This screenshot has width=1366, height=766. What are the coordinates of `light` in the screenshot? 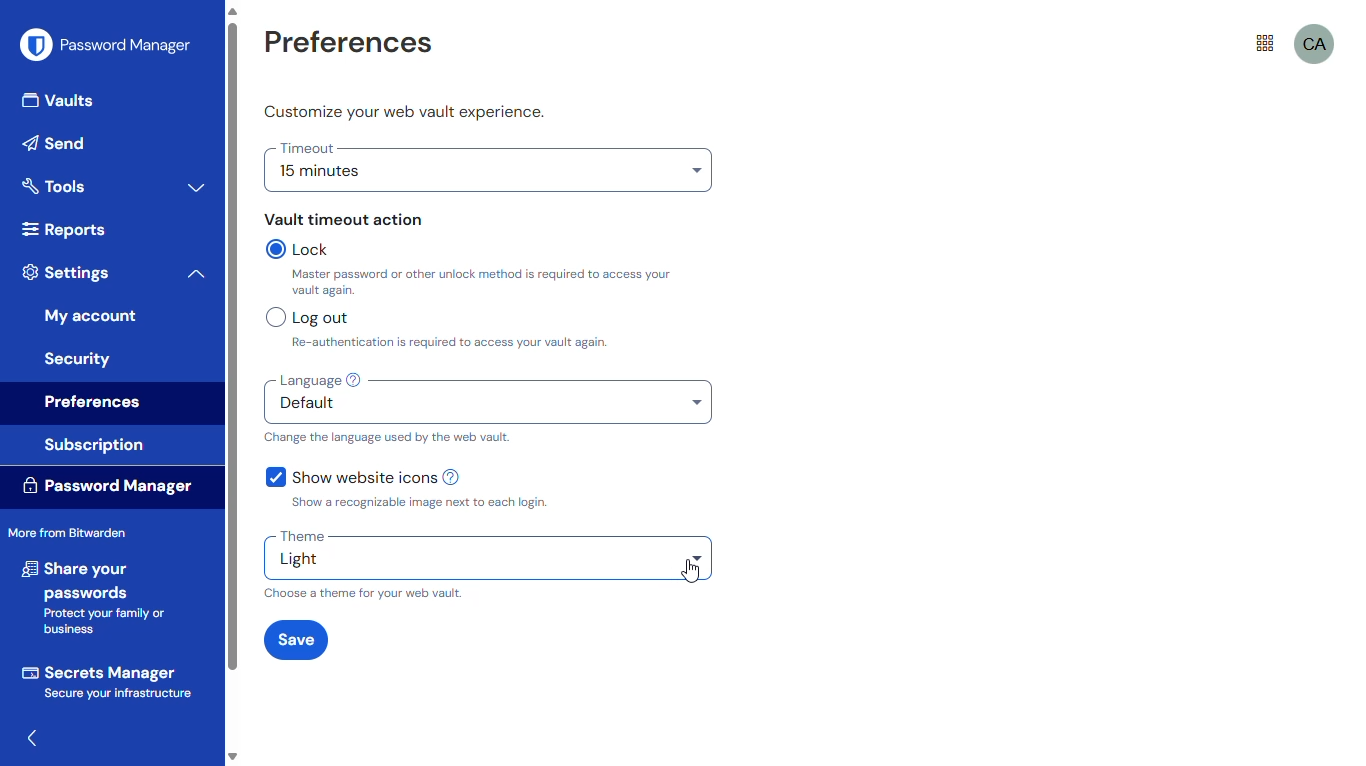 It's located at (490, 561).